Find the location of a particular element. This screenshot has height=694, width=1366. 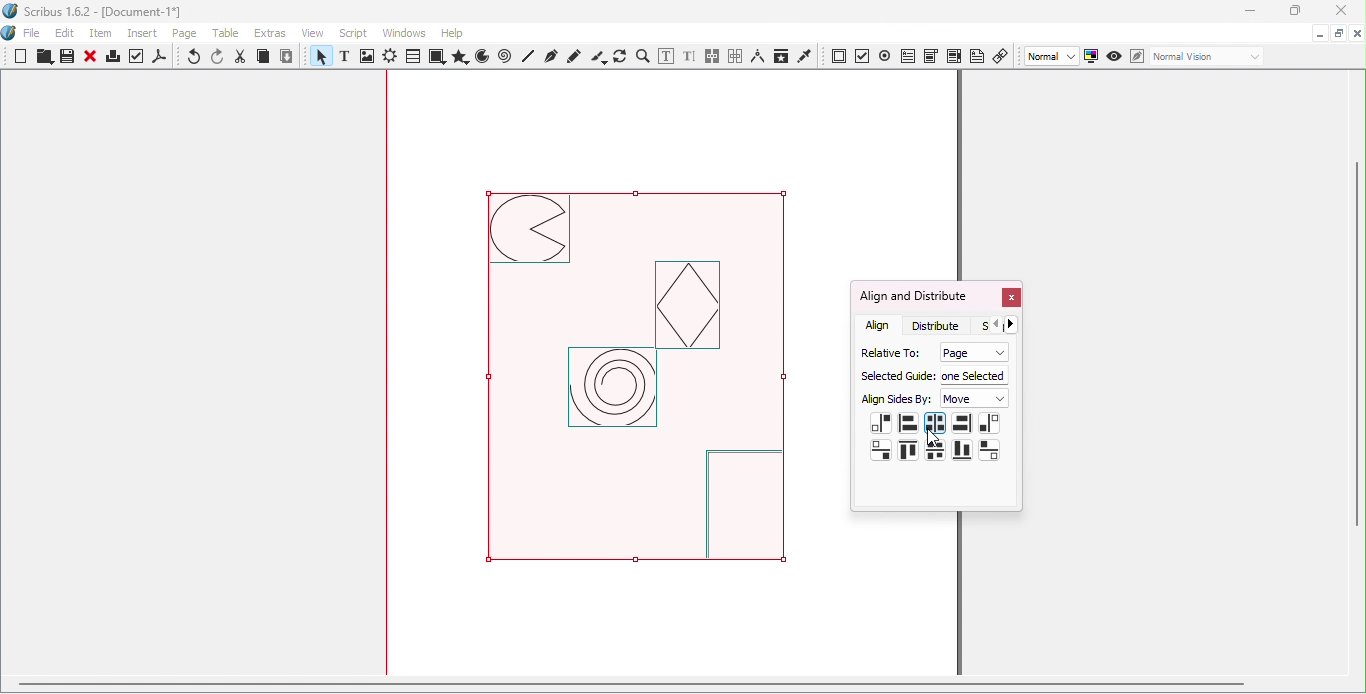

Toggle color management system is located at coordinates (1092, 55).